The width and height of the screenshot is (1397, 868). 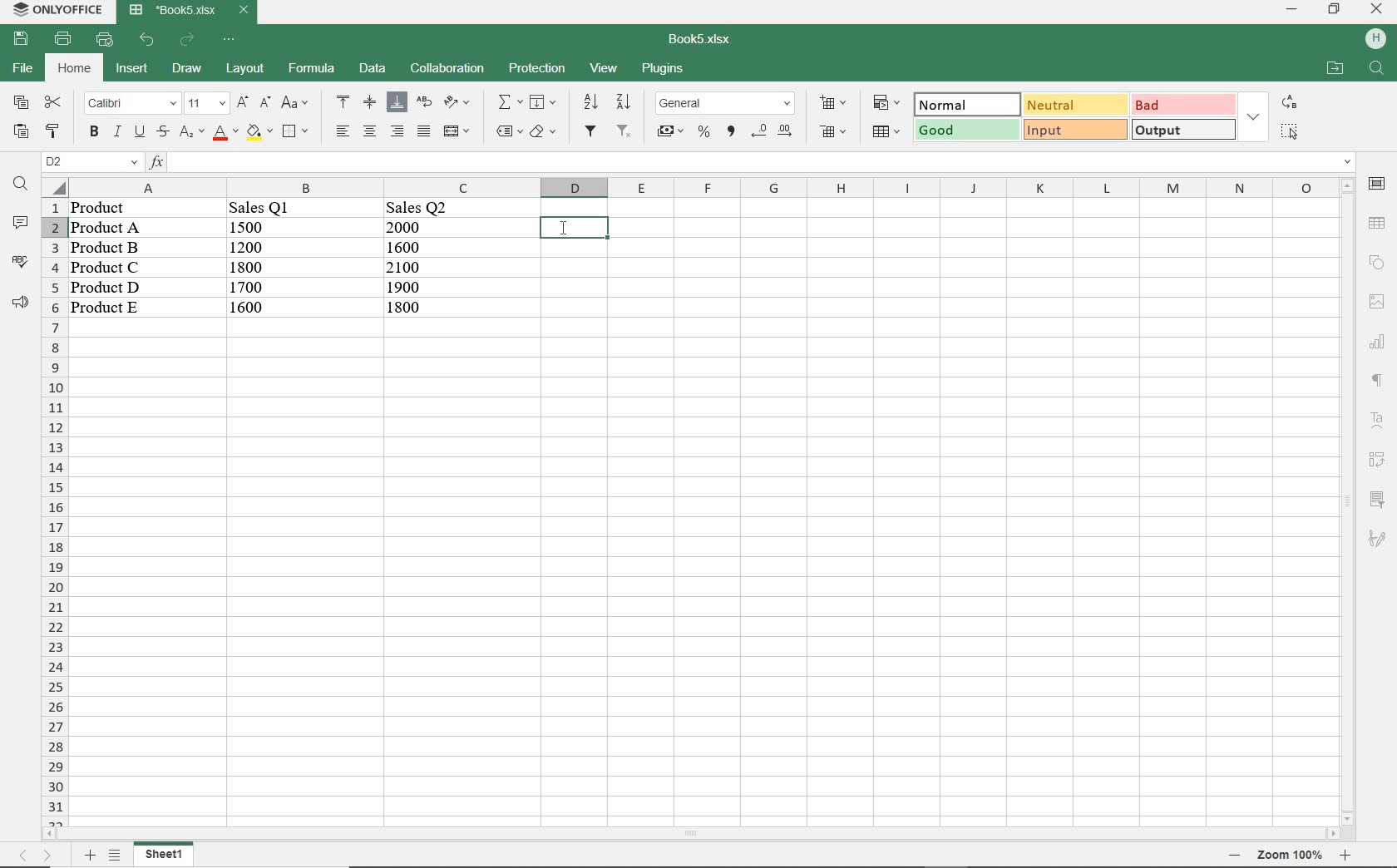 I want to click on cut, so click(x=54, y=101).